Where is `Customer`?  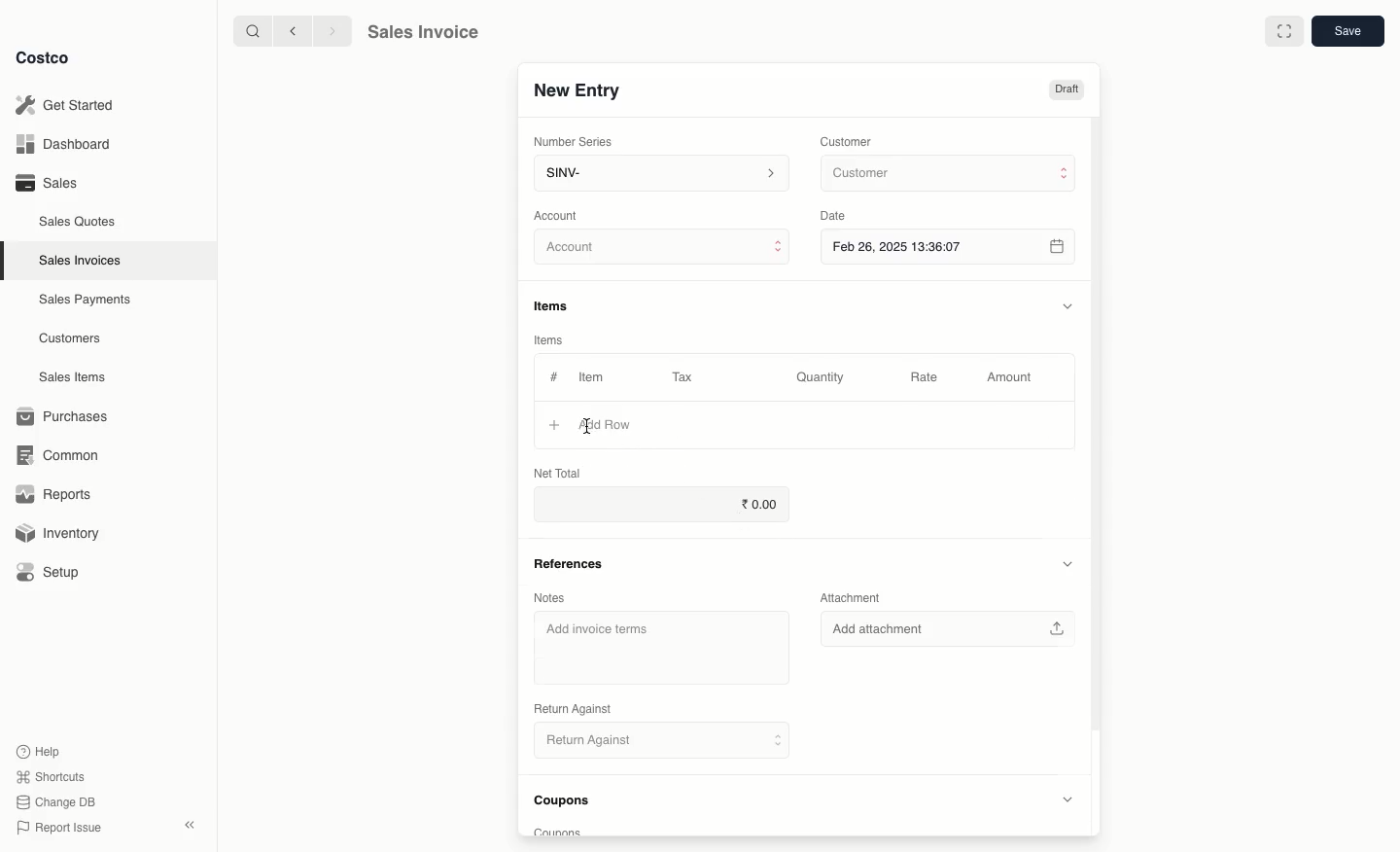 Customer is located at coordinates (849, 140).